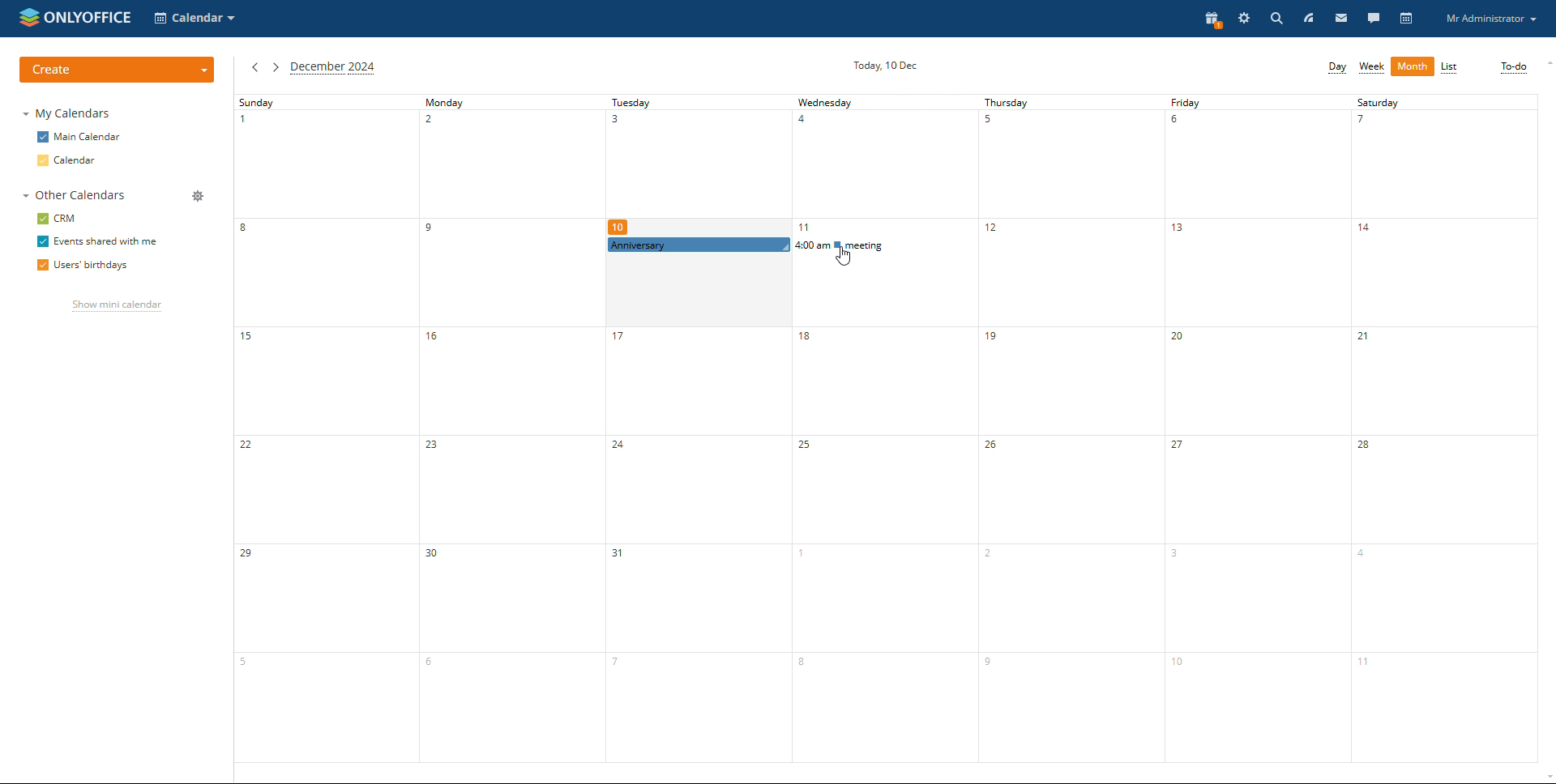 The width and height of the screenshot is (1556, 784). I want to click on current month, so click(333, 69).